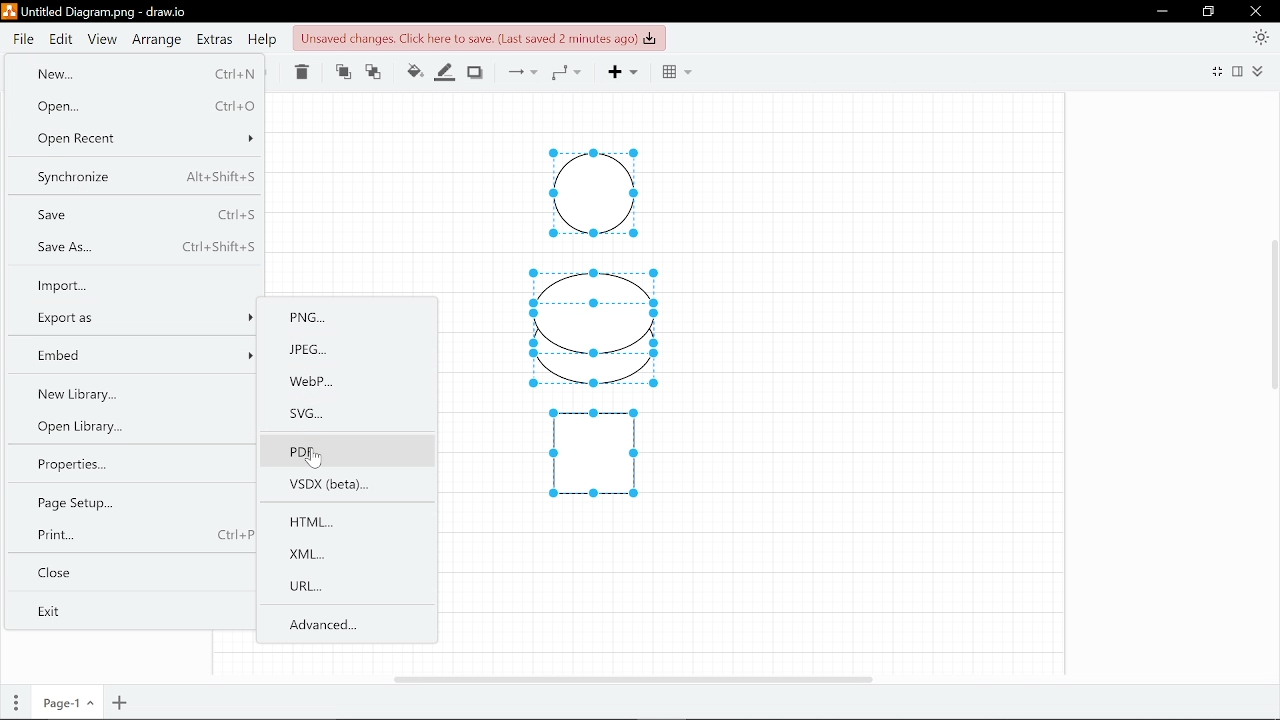 The height and width of the screenshot is (720, 1280). Describe the element at coordinates (518, 71) in the screenshot. I see `Connections` at that location.